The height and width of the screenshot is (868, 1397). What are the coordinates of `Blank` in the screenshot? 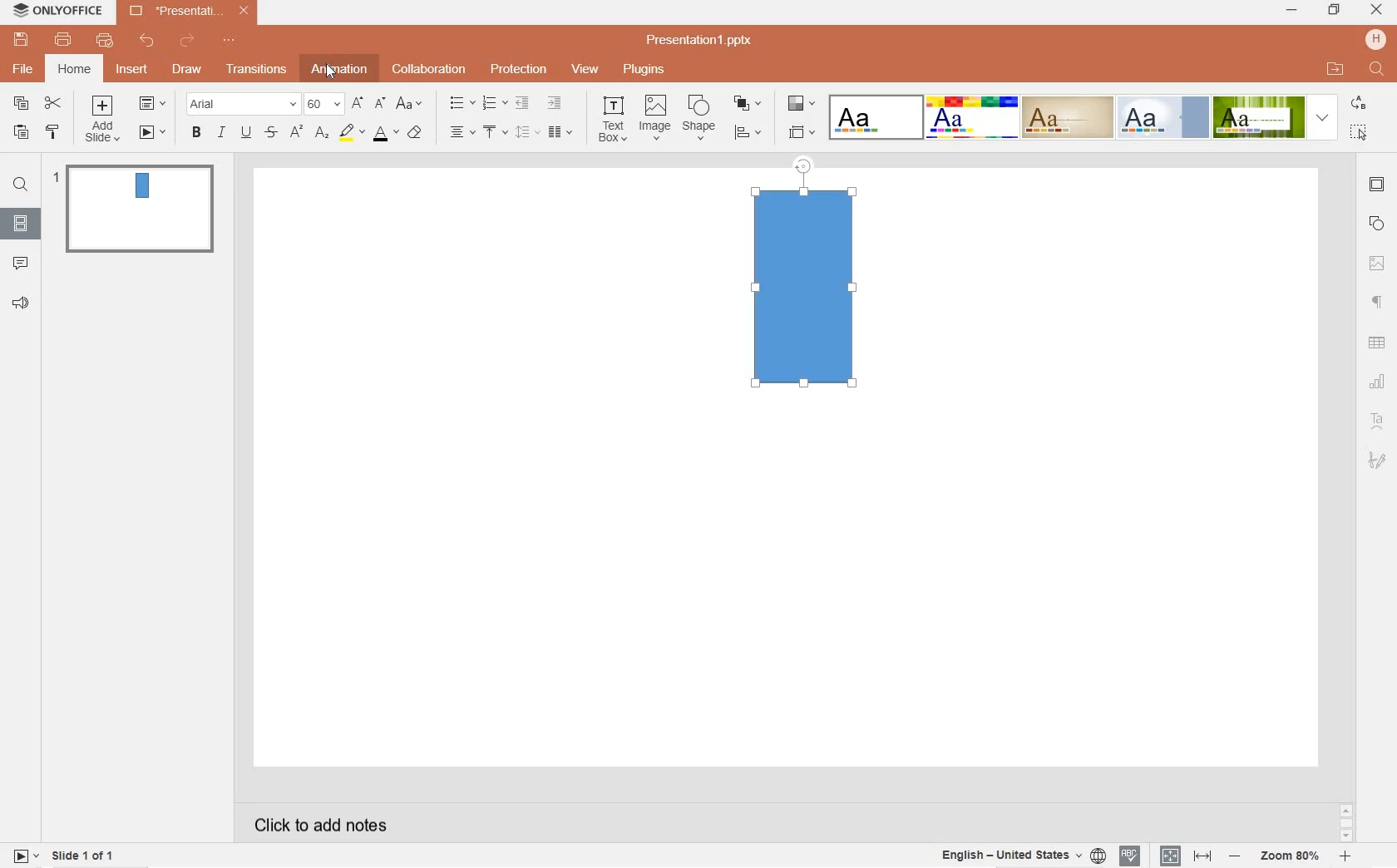 It's located at (876, 116).